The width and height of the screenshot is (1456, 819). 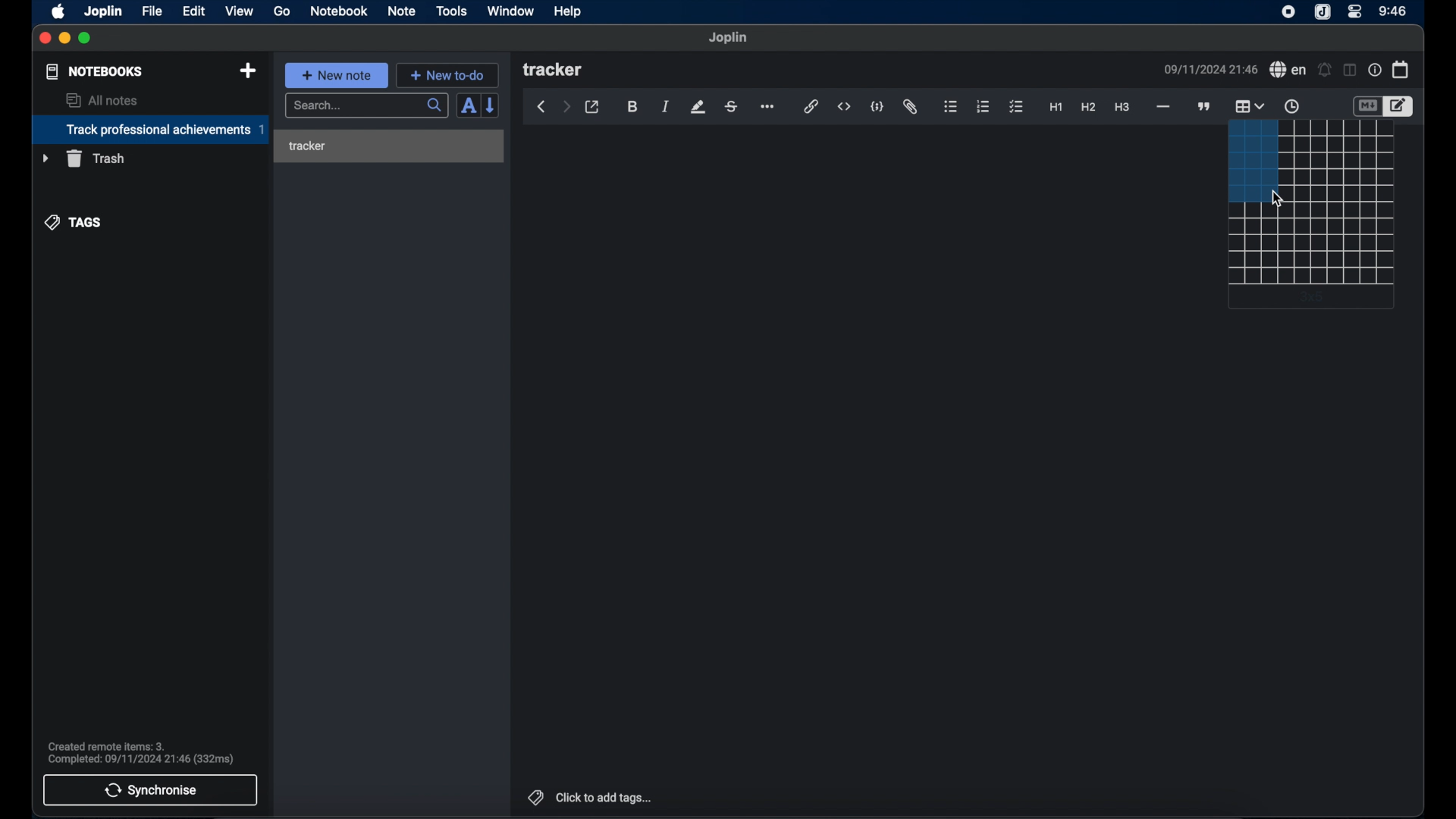 What do you see at coordinates (1374, 70) in the screenshot?
I see `note properties` at bounding box center [1374, 70].